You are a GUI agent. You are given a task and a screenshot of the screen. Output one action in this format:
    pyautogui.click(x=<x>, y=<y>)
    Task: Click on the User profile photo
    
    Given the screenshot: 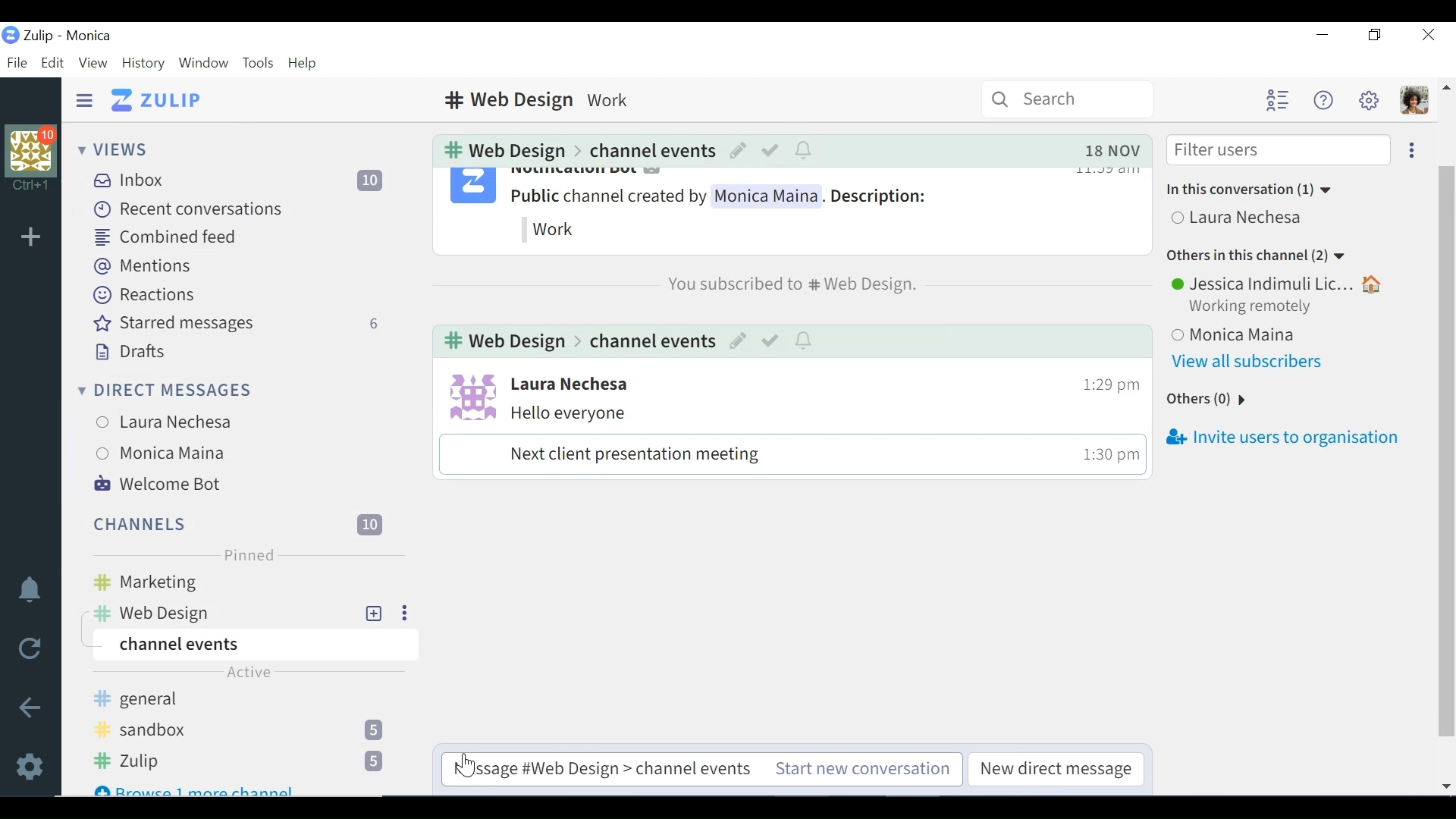 What is the action you would take?
    pyautogui.click(x=468, y=395)
    